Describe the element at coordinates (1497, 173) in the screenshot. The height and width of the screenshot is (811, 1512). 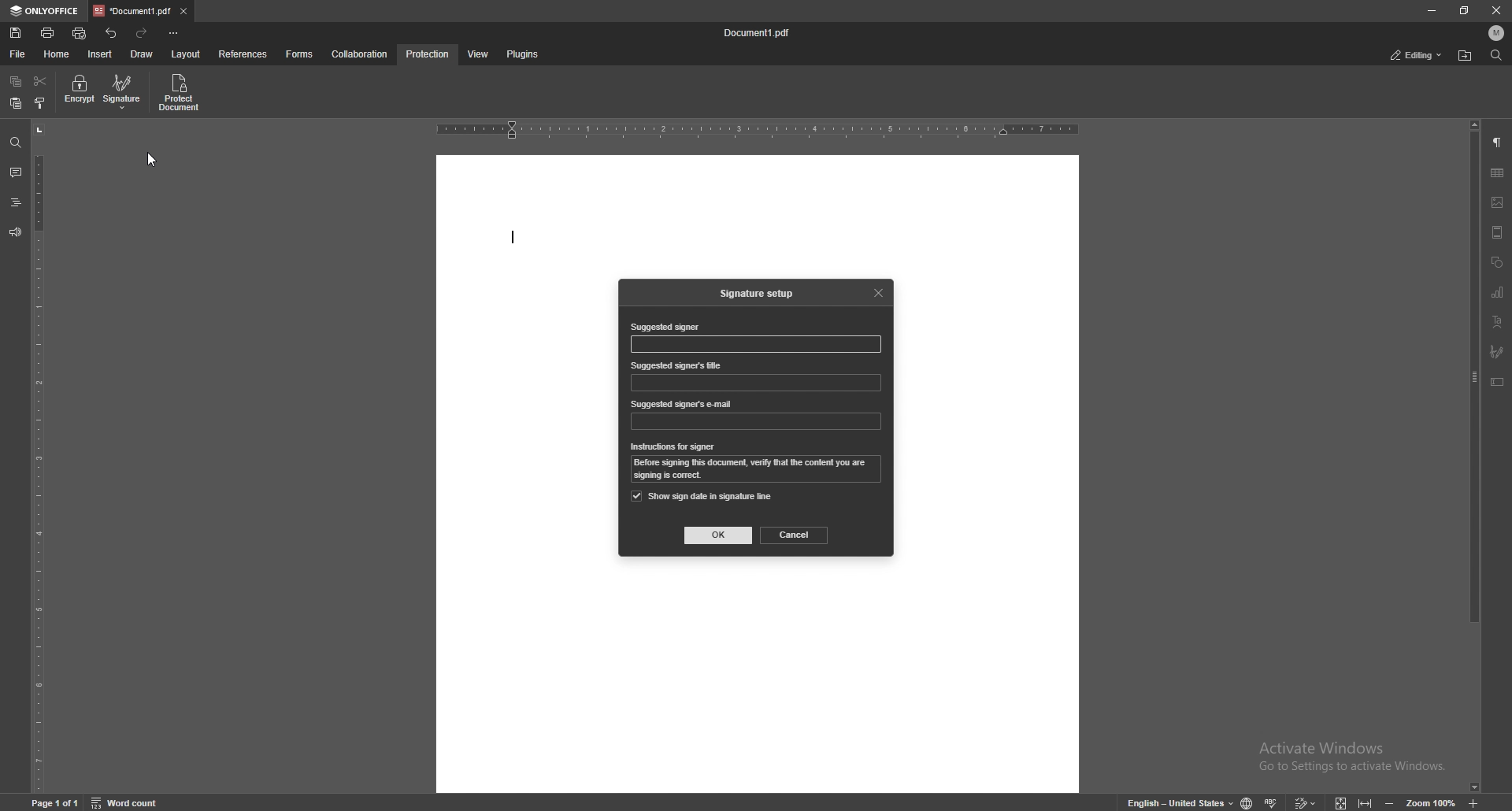
I see `table` at that location.